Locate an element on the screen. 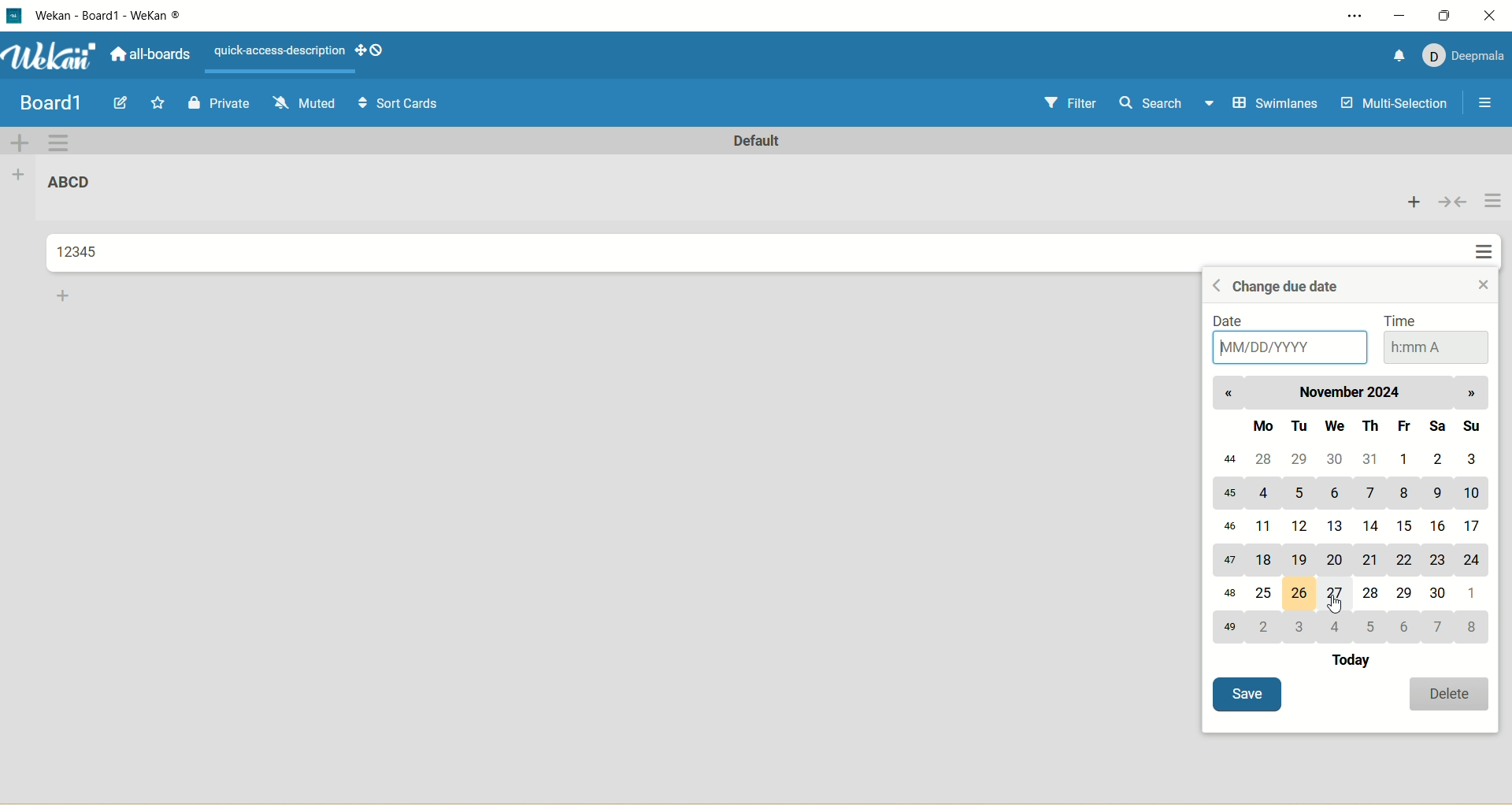 The width and height of the screenshot is (1512, 805). logo is located at coordinates (18, 17).